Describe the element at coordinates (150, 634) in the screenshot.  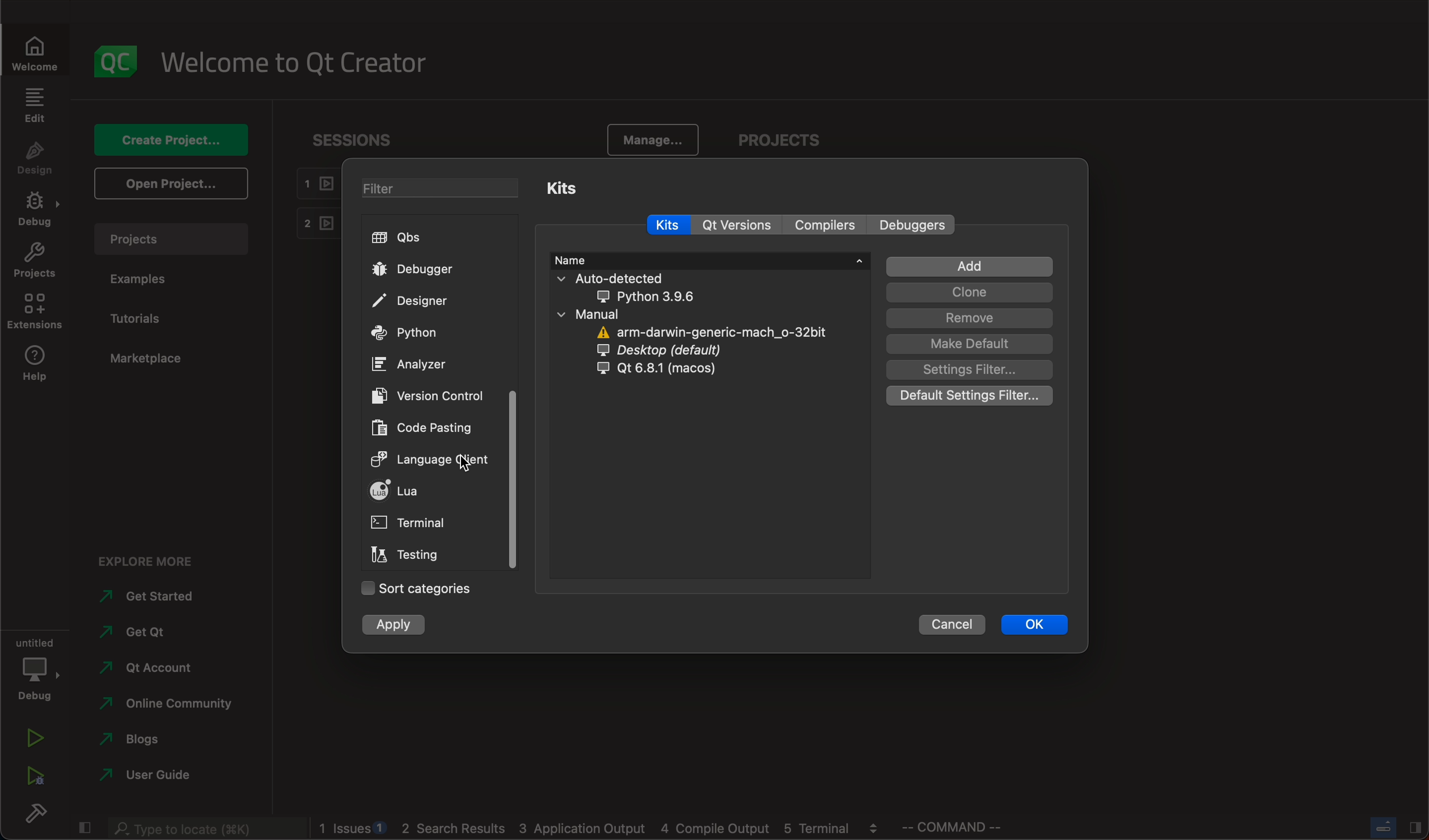
I see `get qt` at that location.